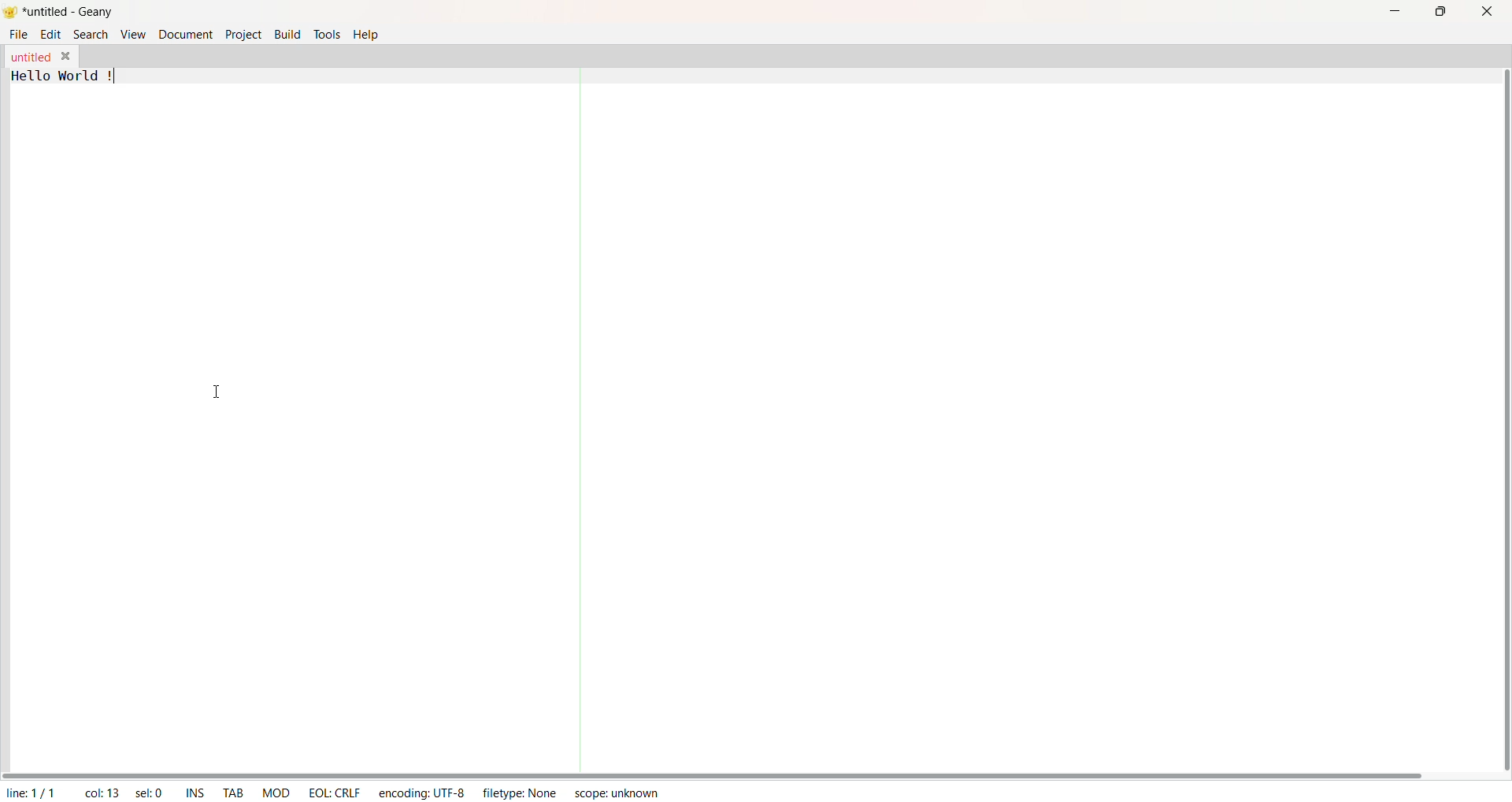  Describe the element at coordinates (131, 35) in the screenshot. I see `View` at that location.